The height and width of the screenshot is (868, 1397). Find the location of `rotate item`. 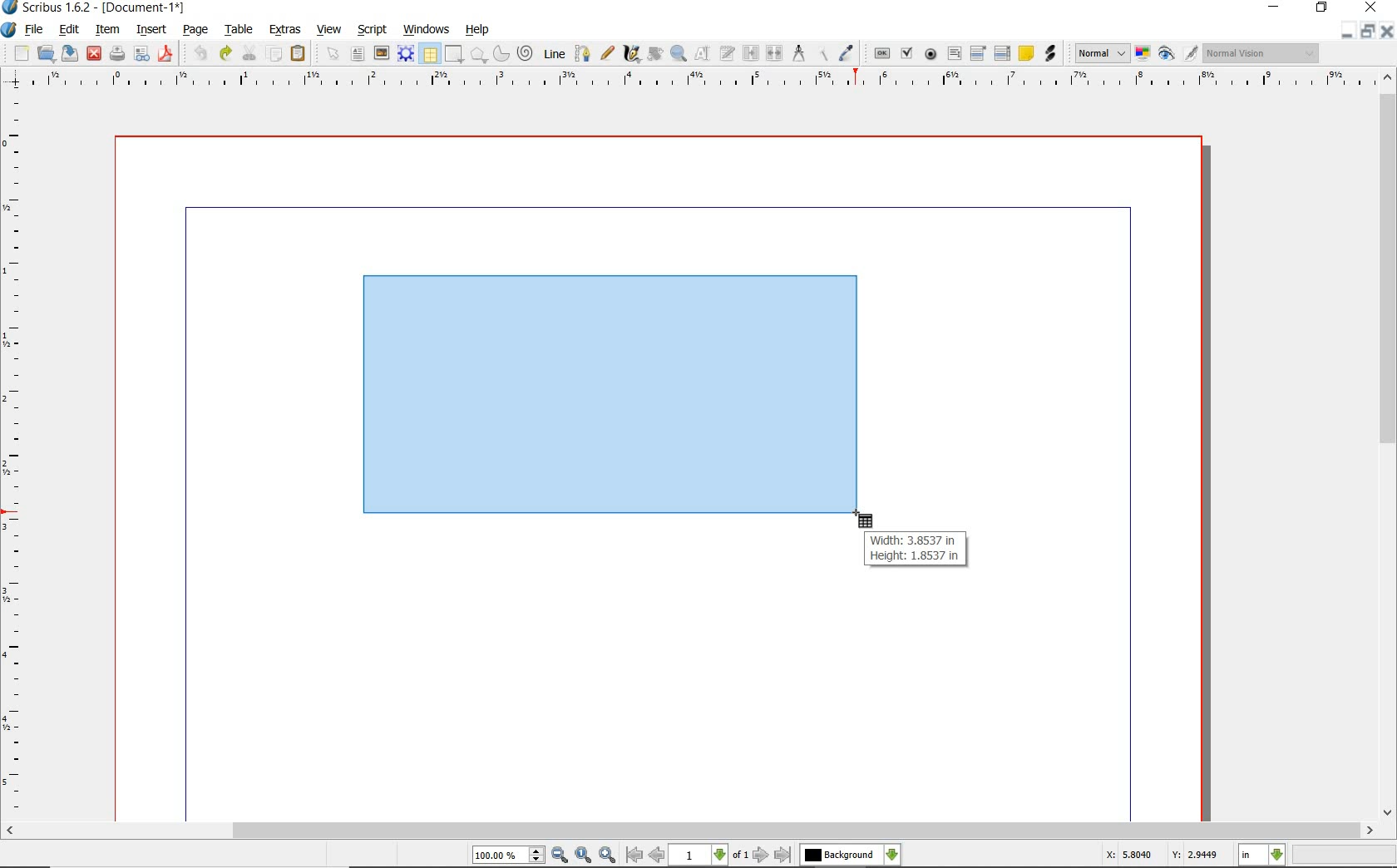

rotate item is located at coordinates (654, 55).